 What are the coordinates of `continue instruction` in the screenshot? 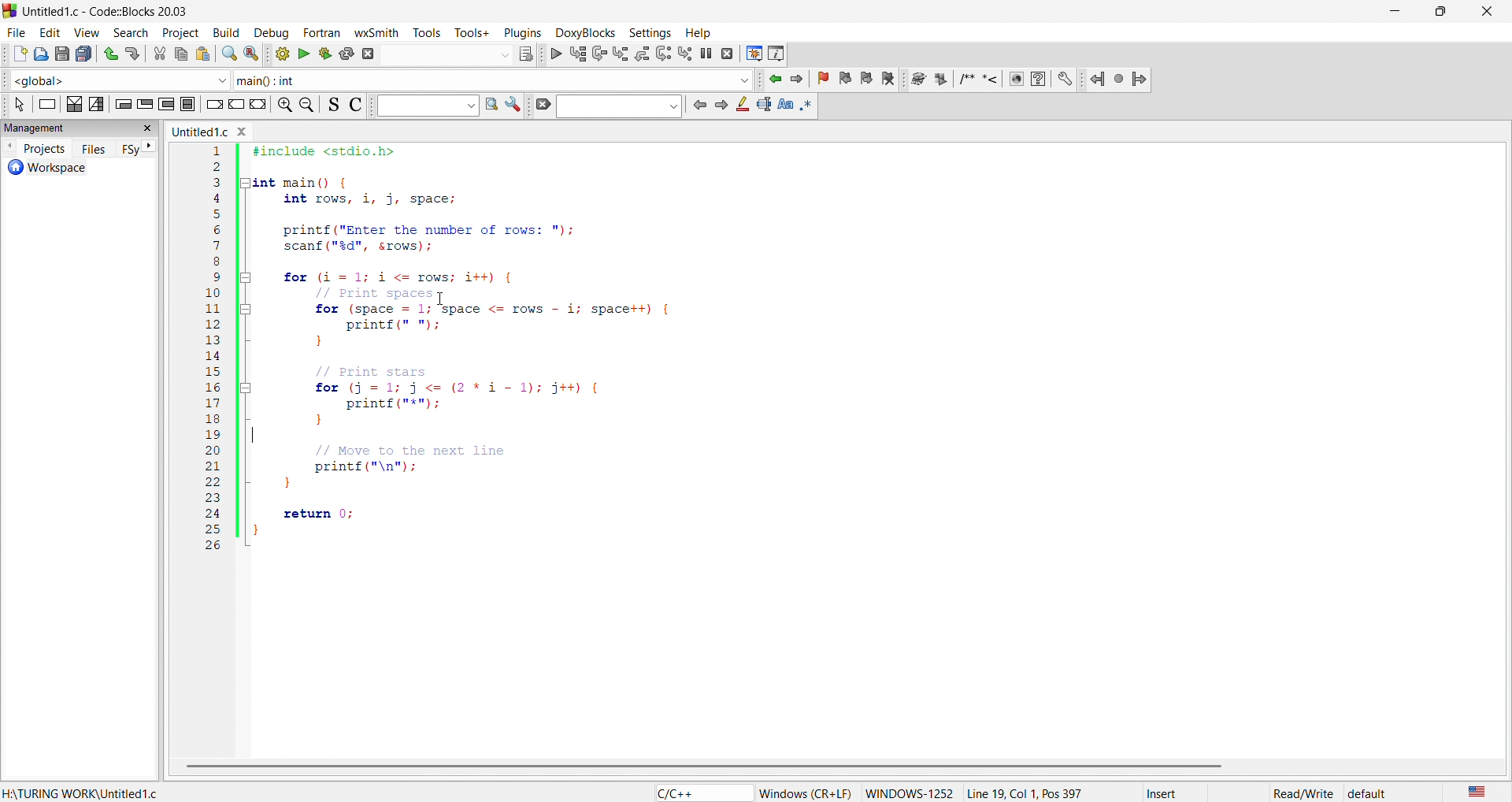 It's located at (235, 106).